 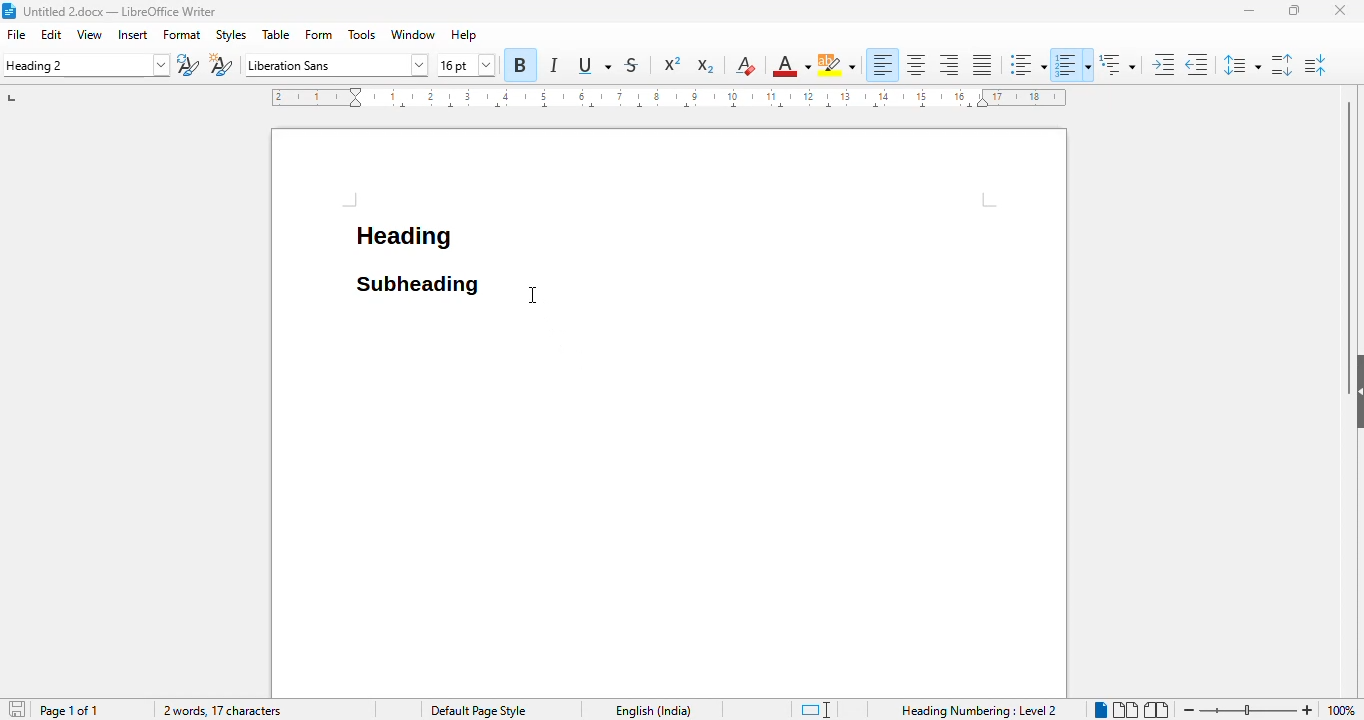 What do you see at coordinates (1242, 64) in the screenshot?
I see `set line spacing` at bounding box center [1242, 64].